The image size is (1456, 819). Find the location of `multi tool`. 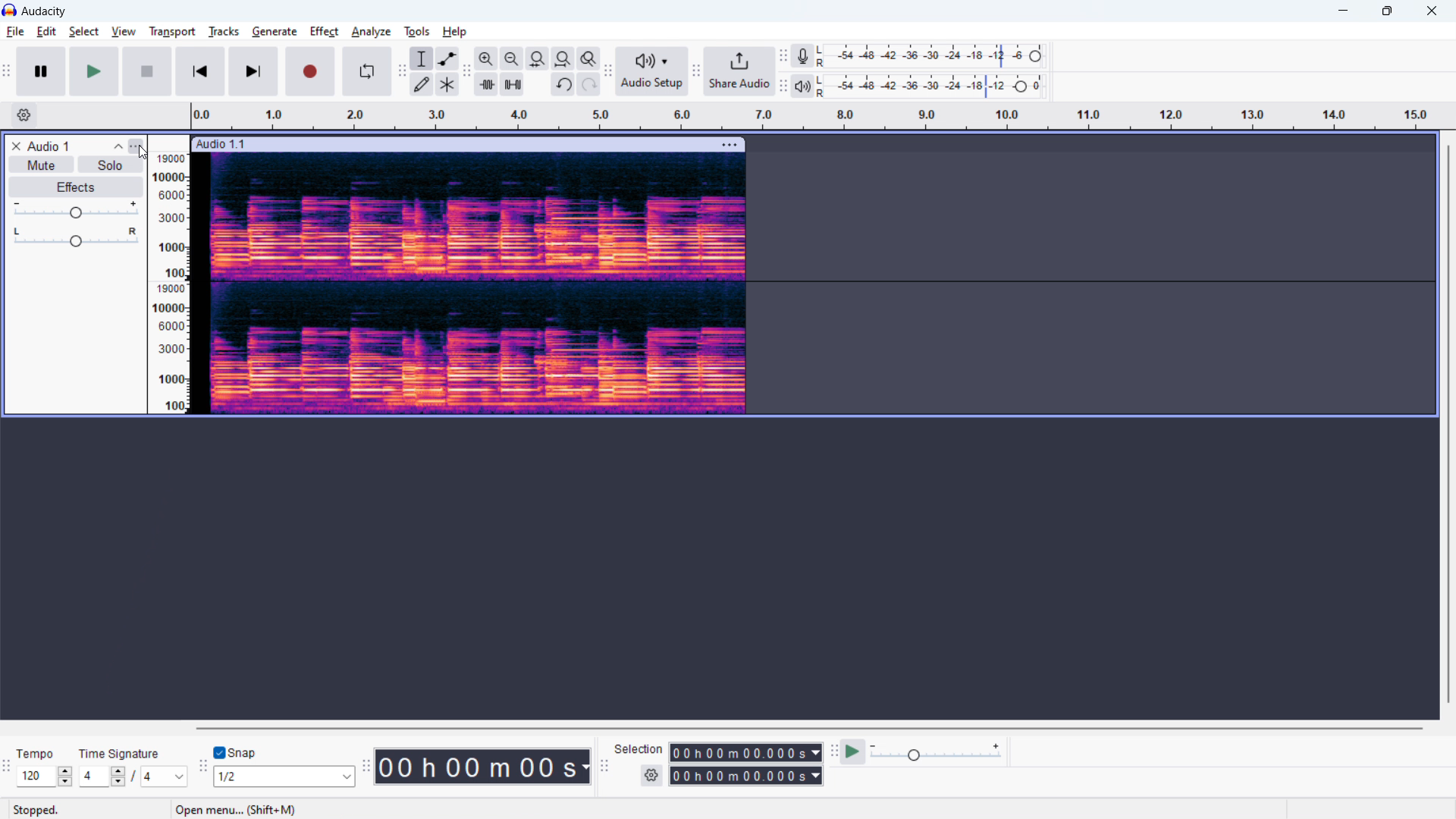

multi tool is located at coordinates (447, 84).